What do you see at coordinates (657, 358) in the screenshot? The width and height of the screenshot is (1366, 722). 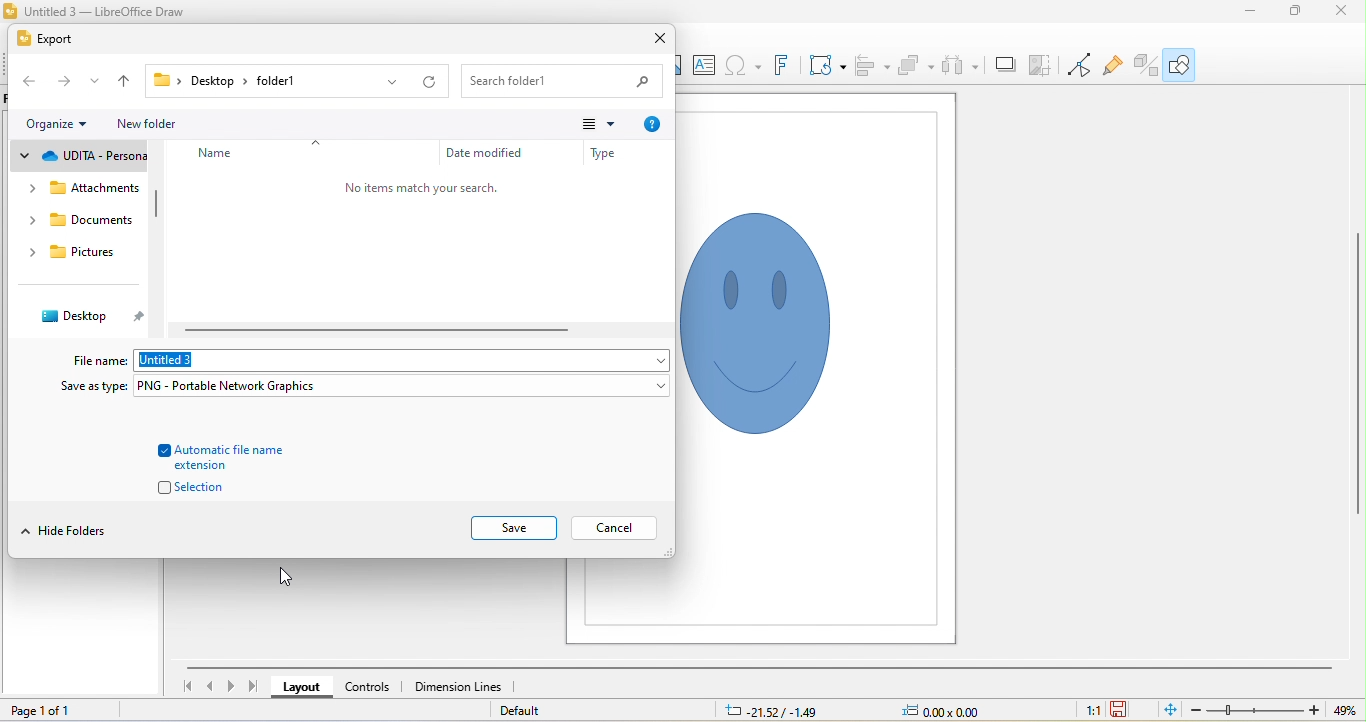 I see `drop down` at bounding box center [657, 358].